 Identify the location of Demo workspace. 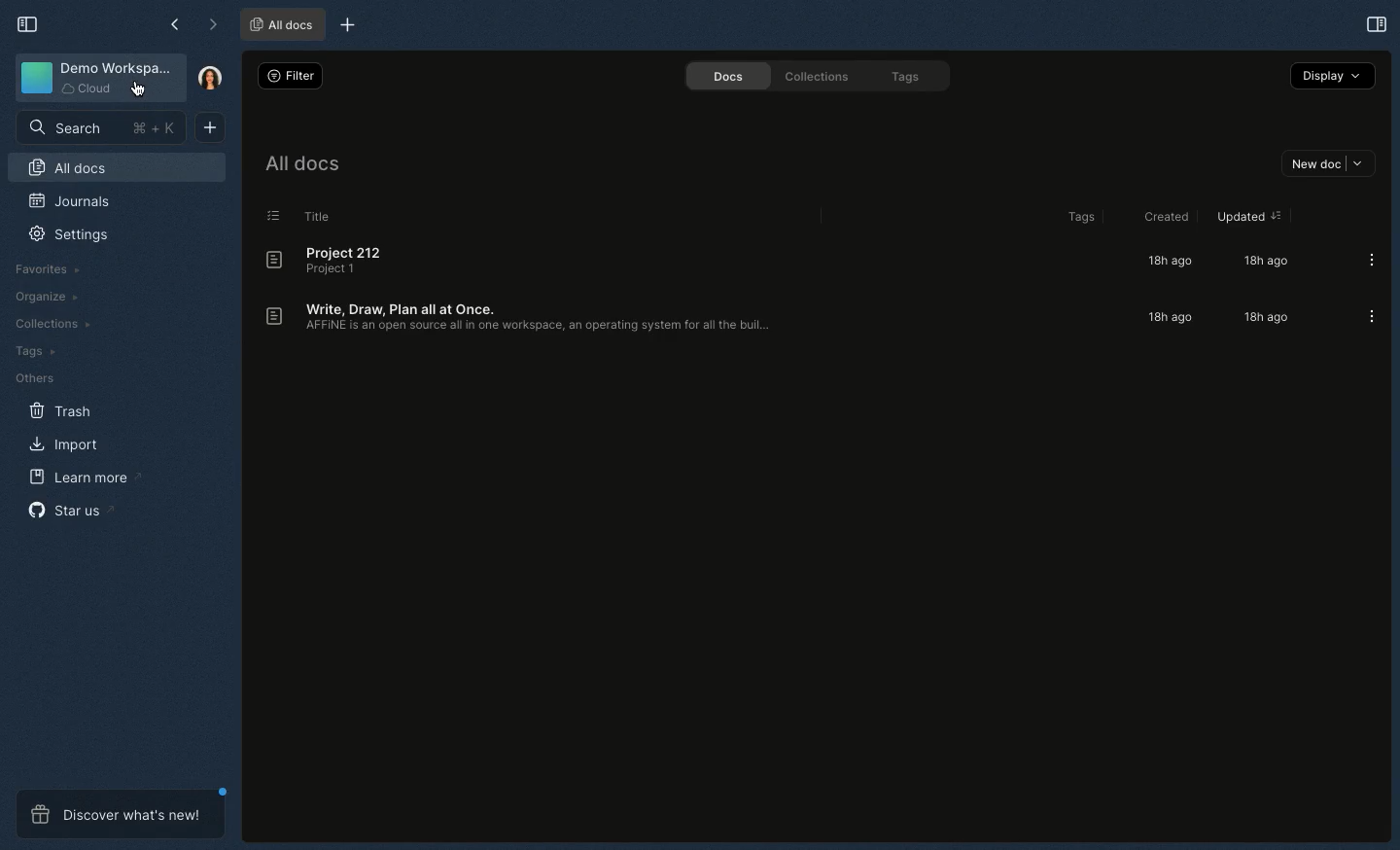
(94, 77).